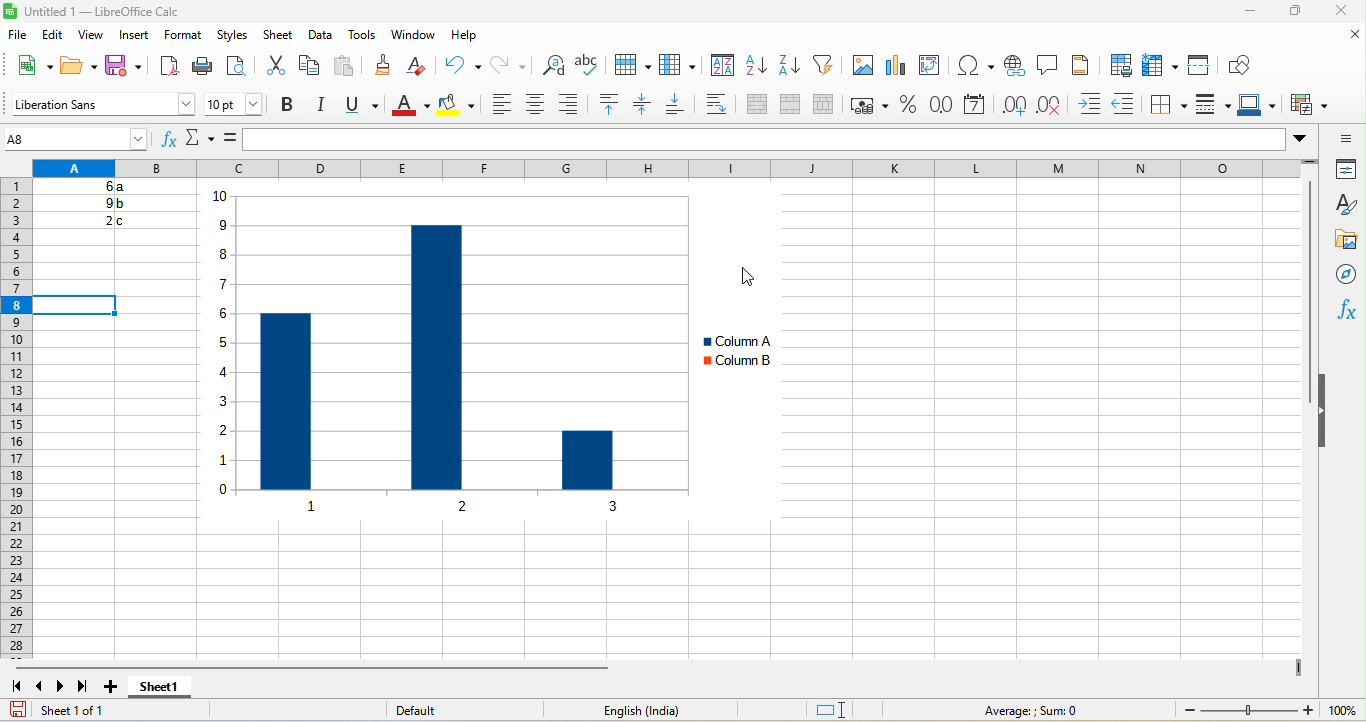 The width and height of the screenshot is (1366, 722). Describe the element at coordinates (1343, 277) in the screenshot. I see `navigator` at that location.